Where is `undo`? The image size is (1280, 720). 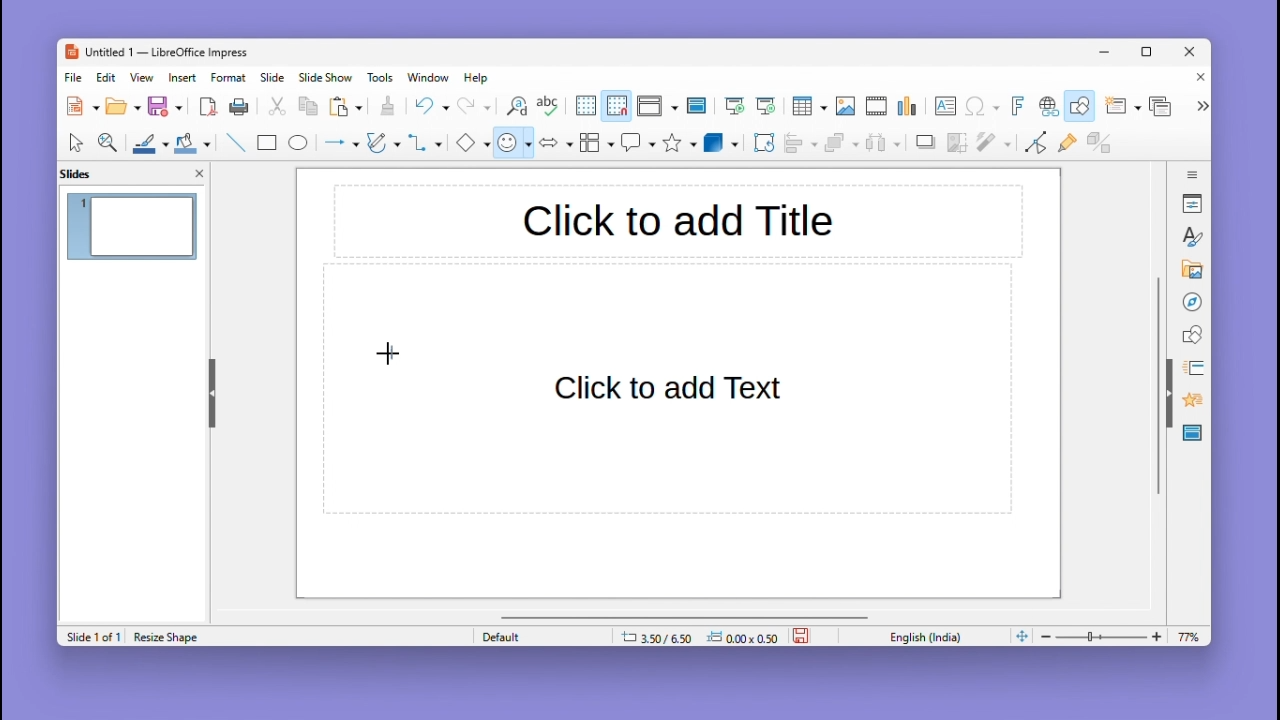
undo is located at coordinates (431, 106).